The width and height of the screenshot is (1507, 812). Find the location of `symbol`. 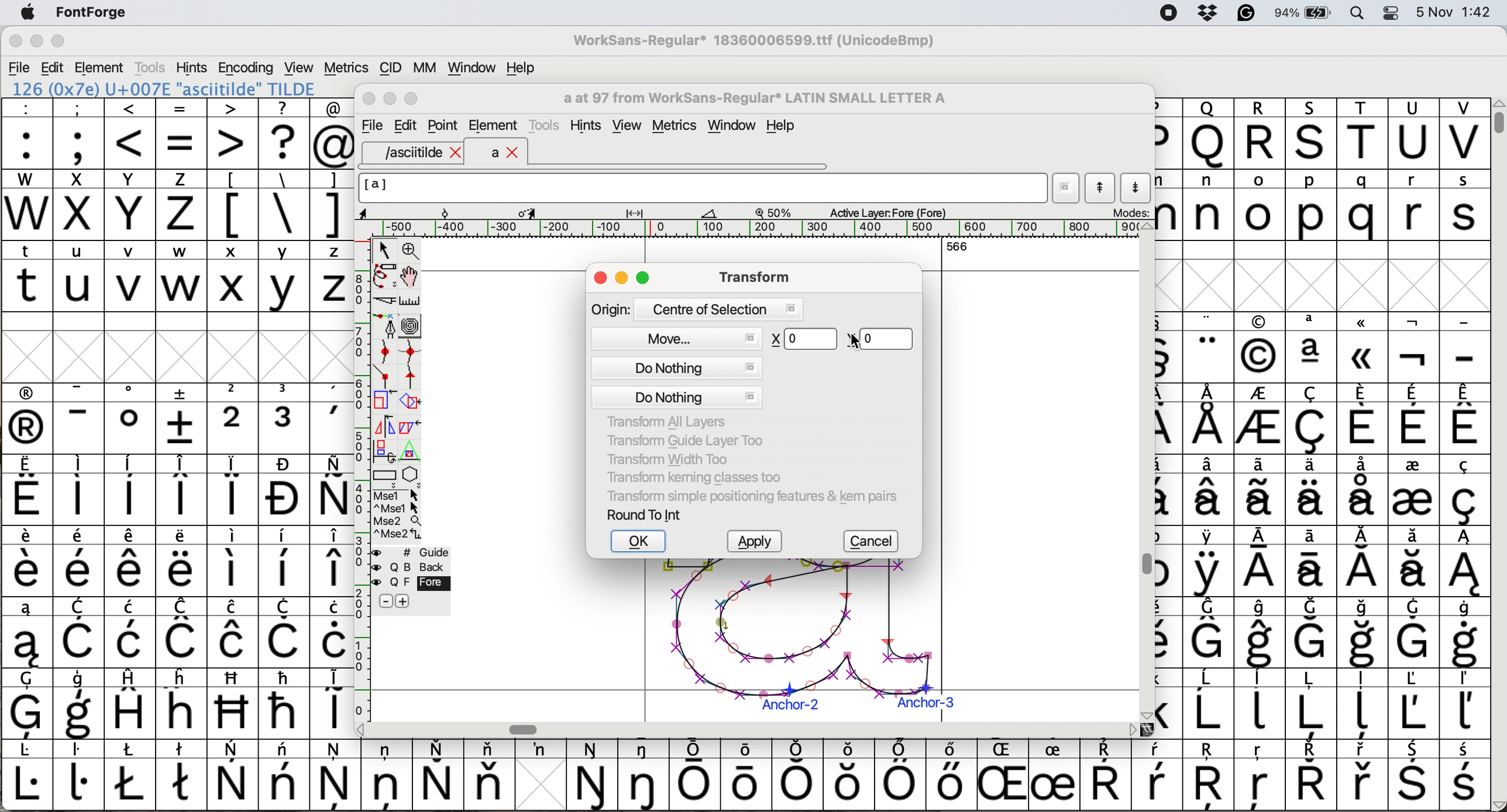

symbol is located at coordinates (286, 418).